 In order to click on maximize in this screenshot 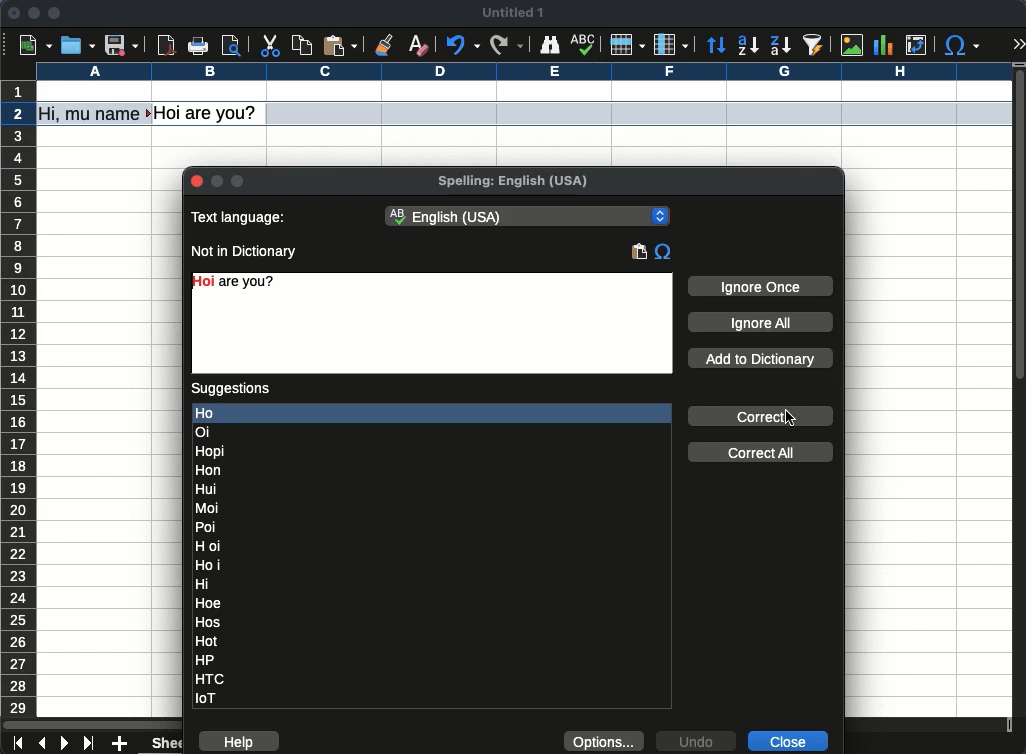, I will do `click(54, 12)`.